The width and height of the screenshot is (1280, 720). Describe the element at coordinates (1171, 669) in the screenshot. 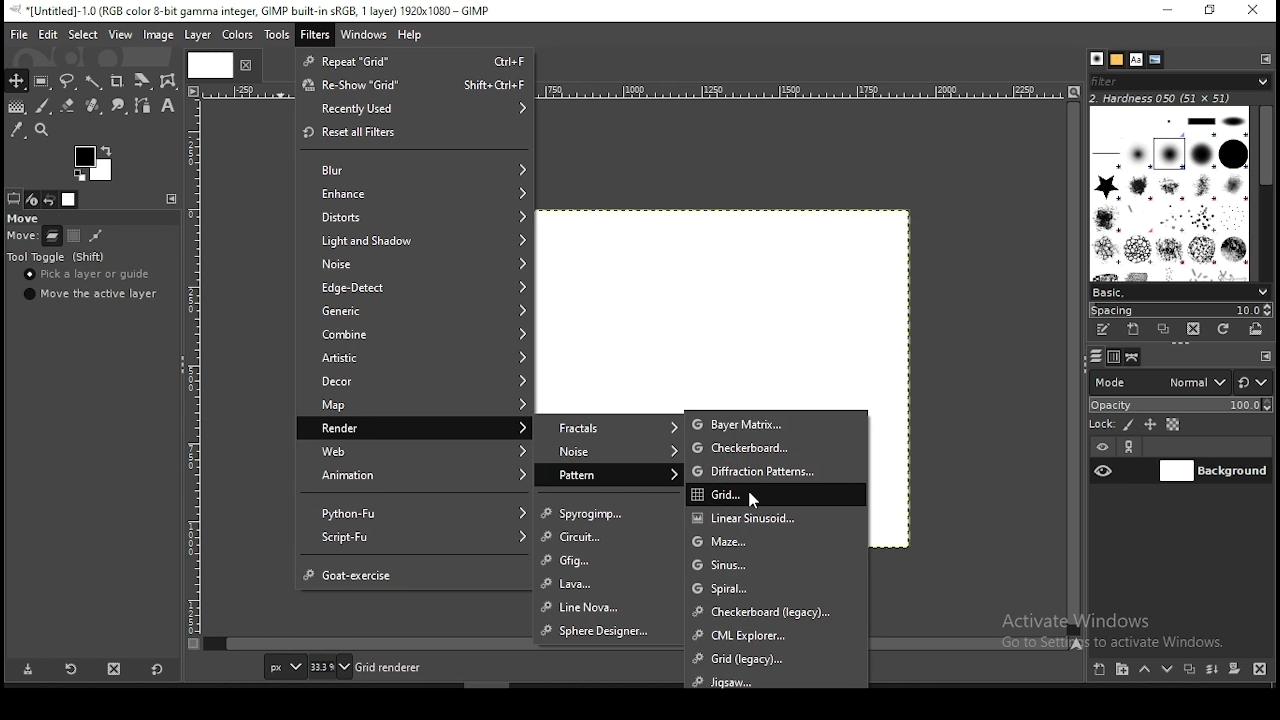

I see `move layer on step down` at that location.